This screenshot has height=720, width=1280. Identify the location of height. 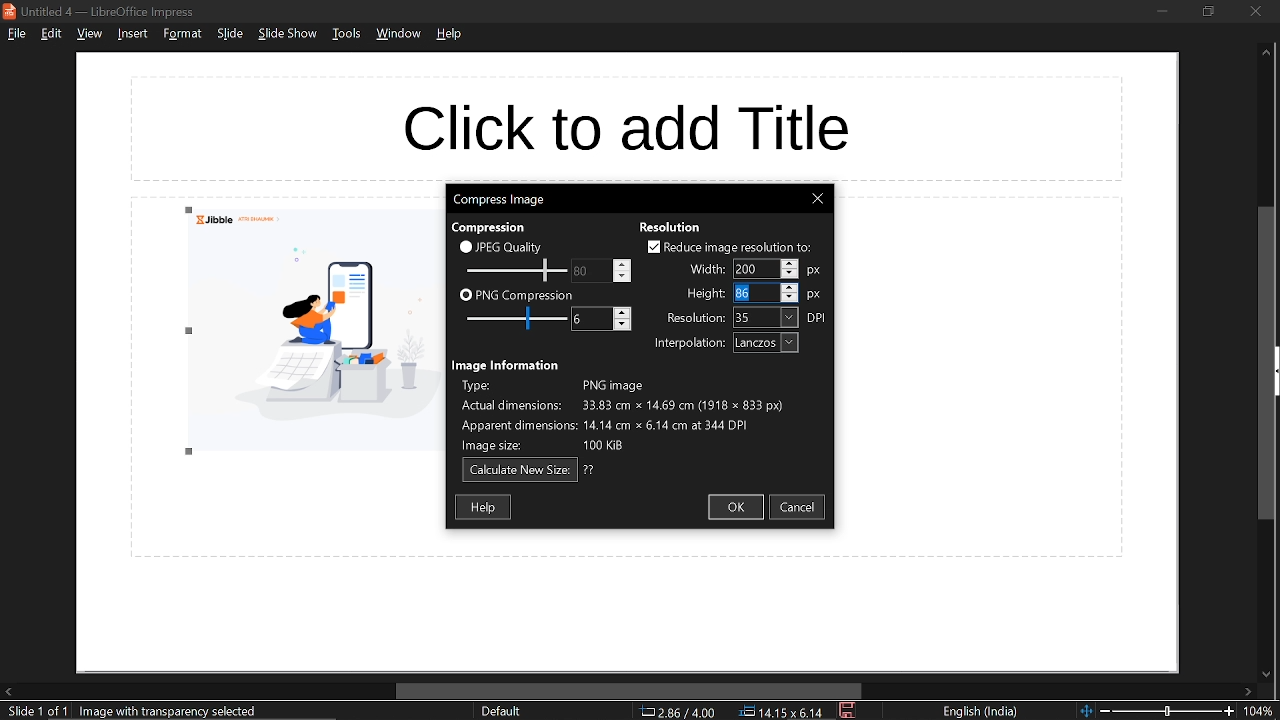
(751, 293).